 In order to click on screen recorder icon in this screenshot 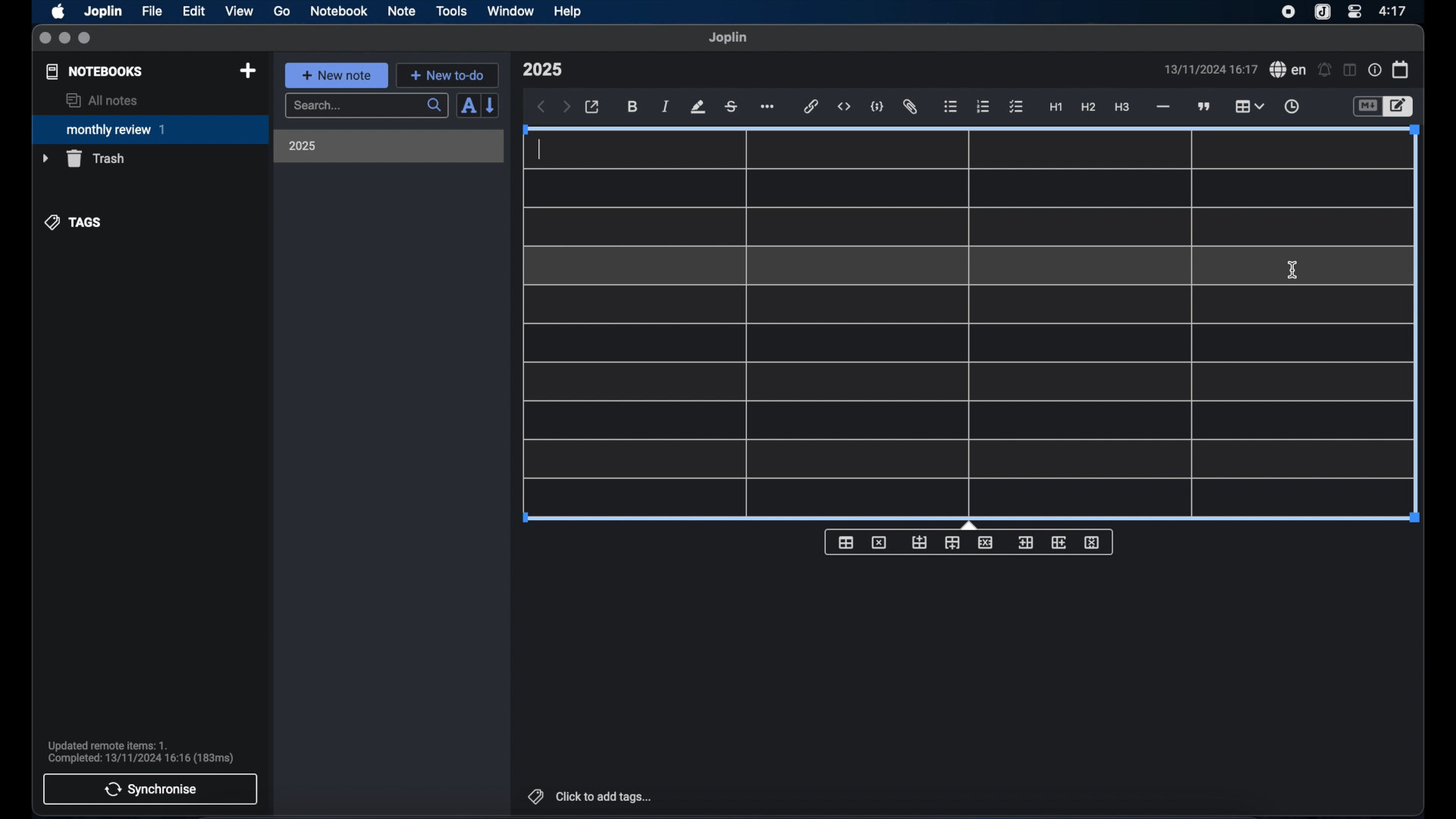, I will do `click(1288, 12)`.